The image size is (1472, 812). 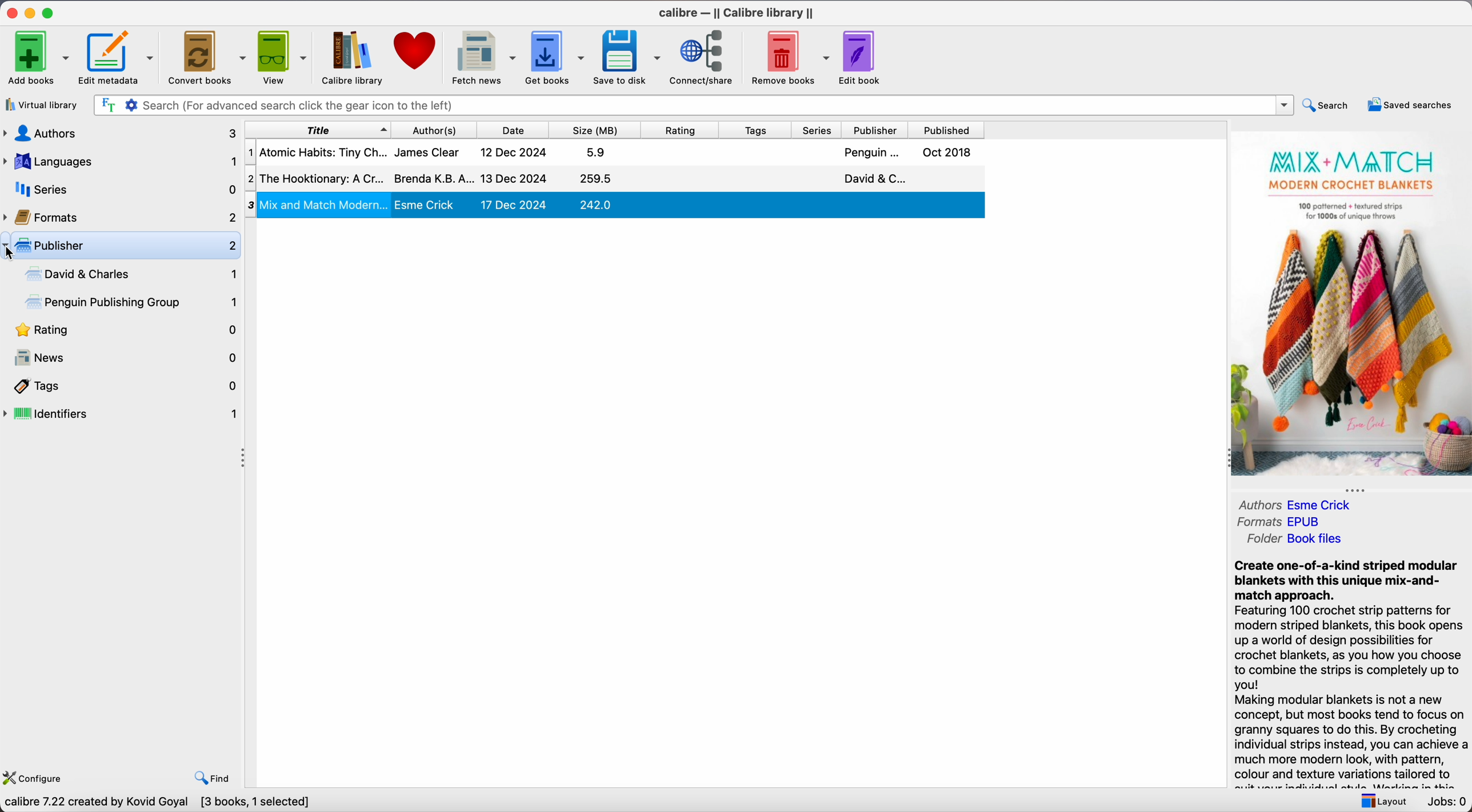 I want to click on rating, so click(x=122, y=331).